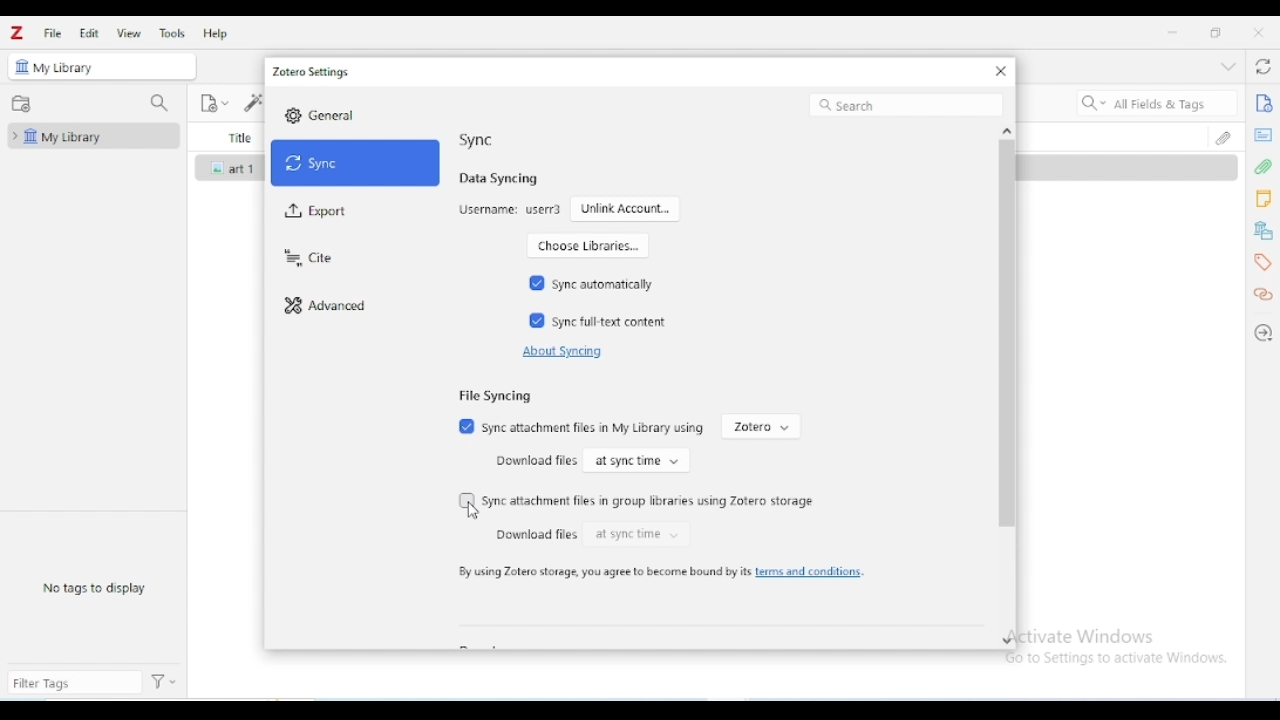  Describe the element at coordinates (538, 282) in the screenshot. I see `Checked box` at that location.